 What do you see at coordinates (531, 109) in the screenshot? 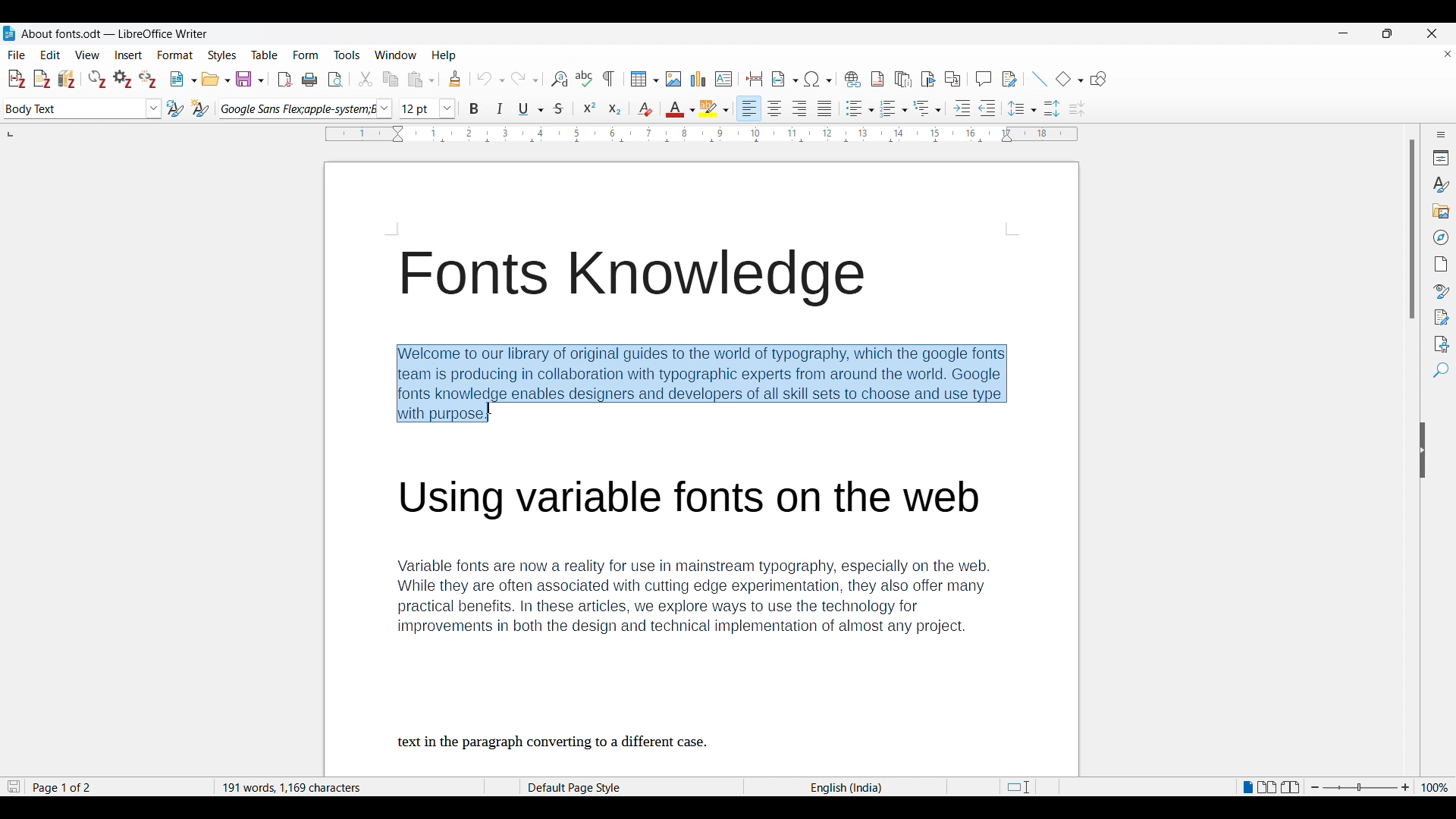
I see `Underline options` at bounding box center [531, 109].